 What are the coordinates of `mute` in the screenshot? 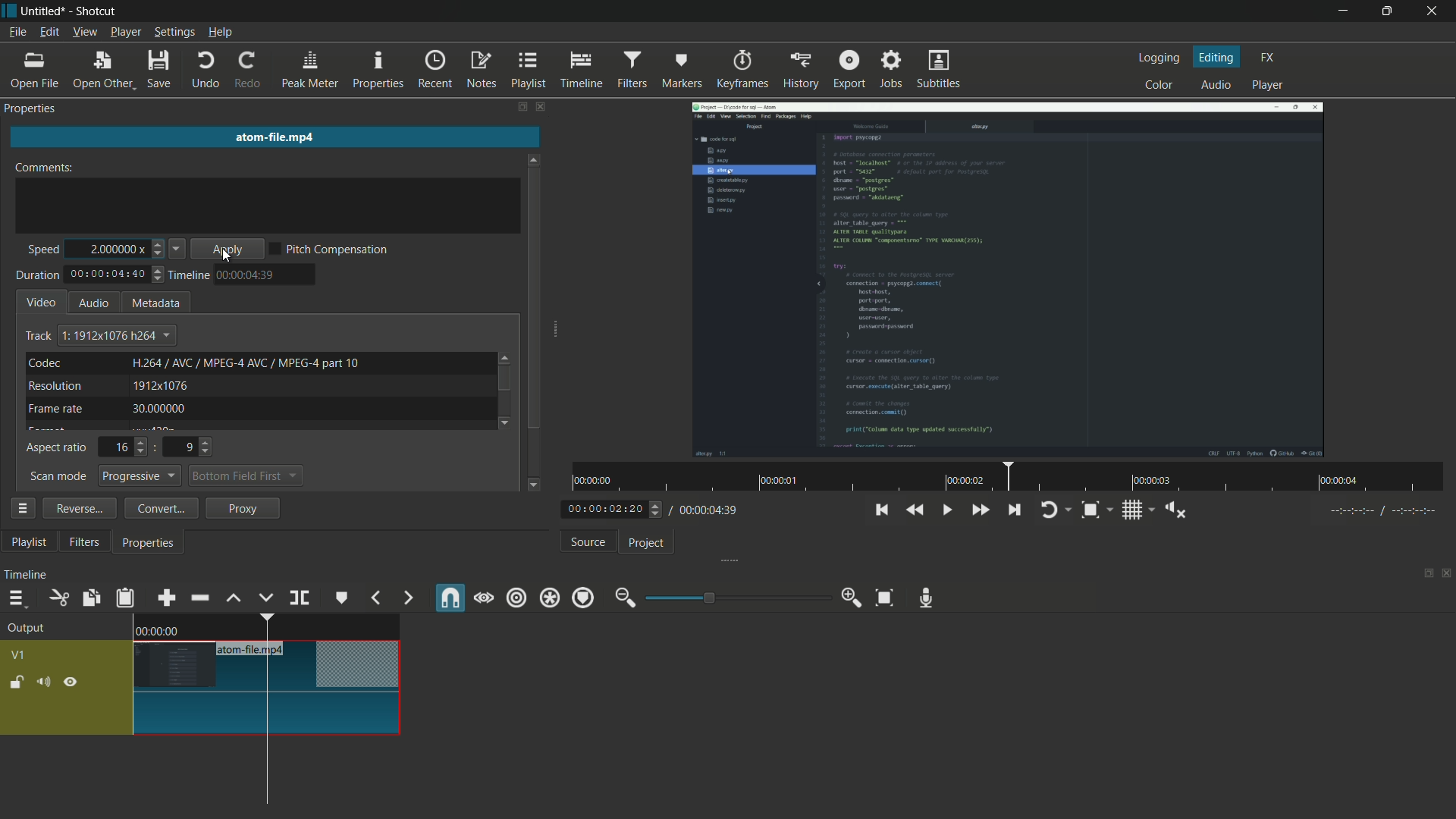 It's located at (45, 682).